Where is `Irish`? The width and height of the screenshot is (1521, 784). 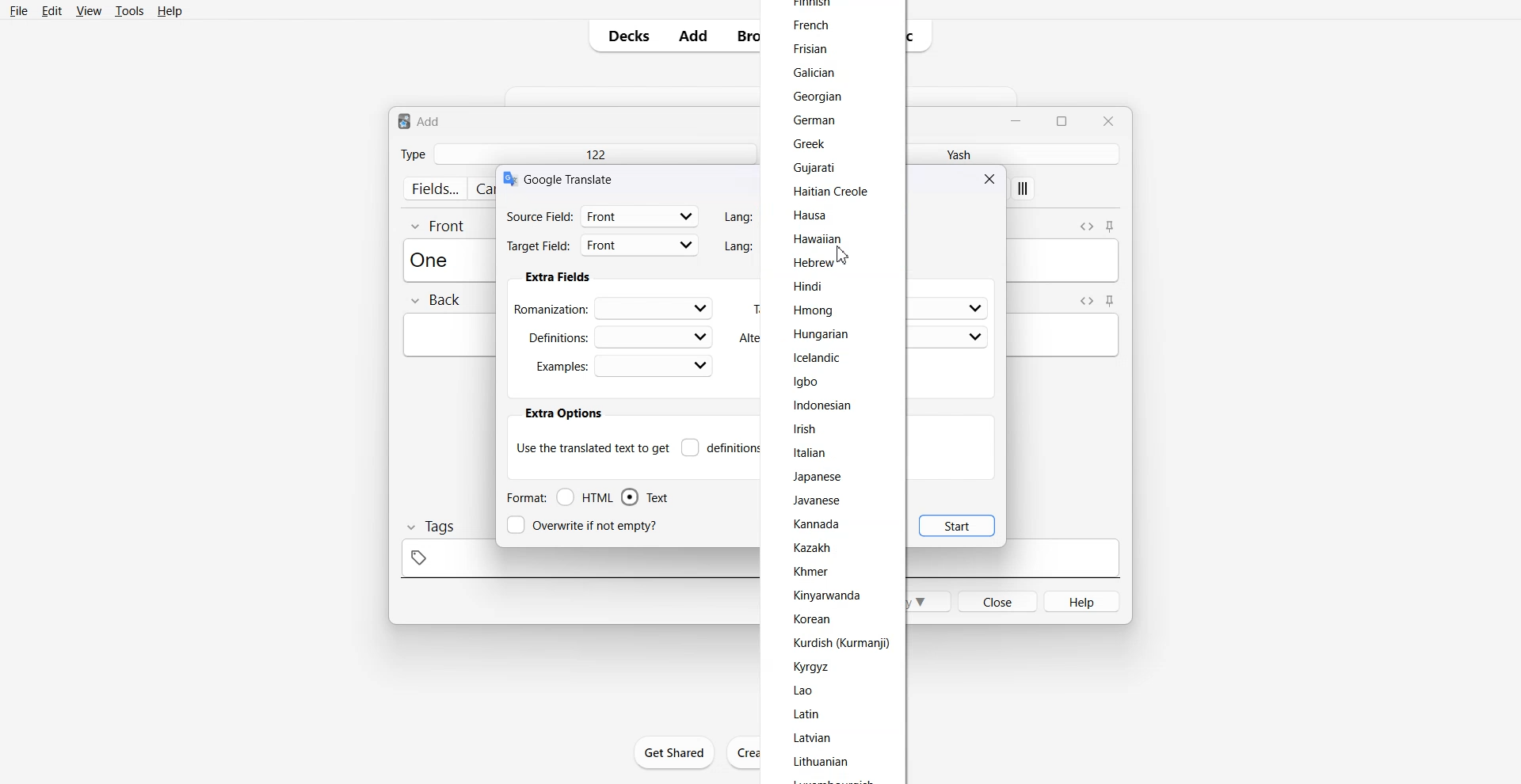 Irish is located at coordinates (805, 428).